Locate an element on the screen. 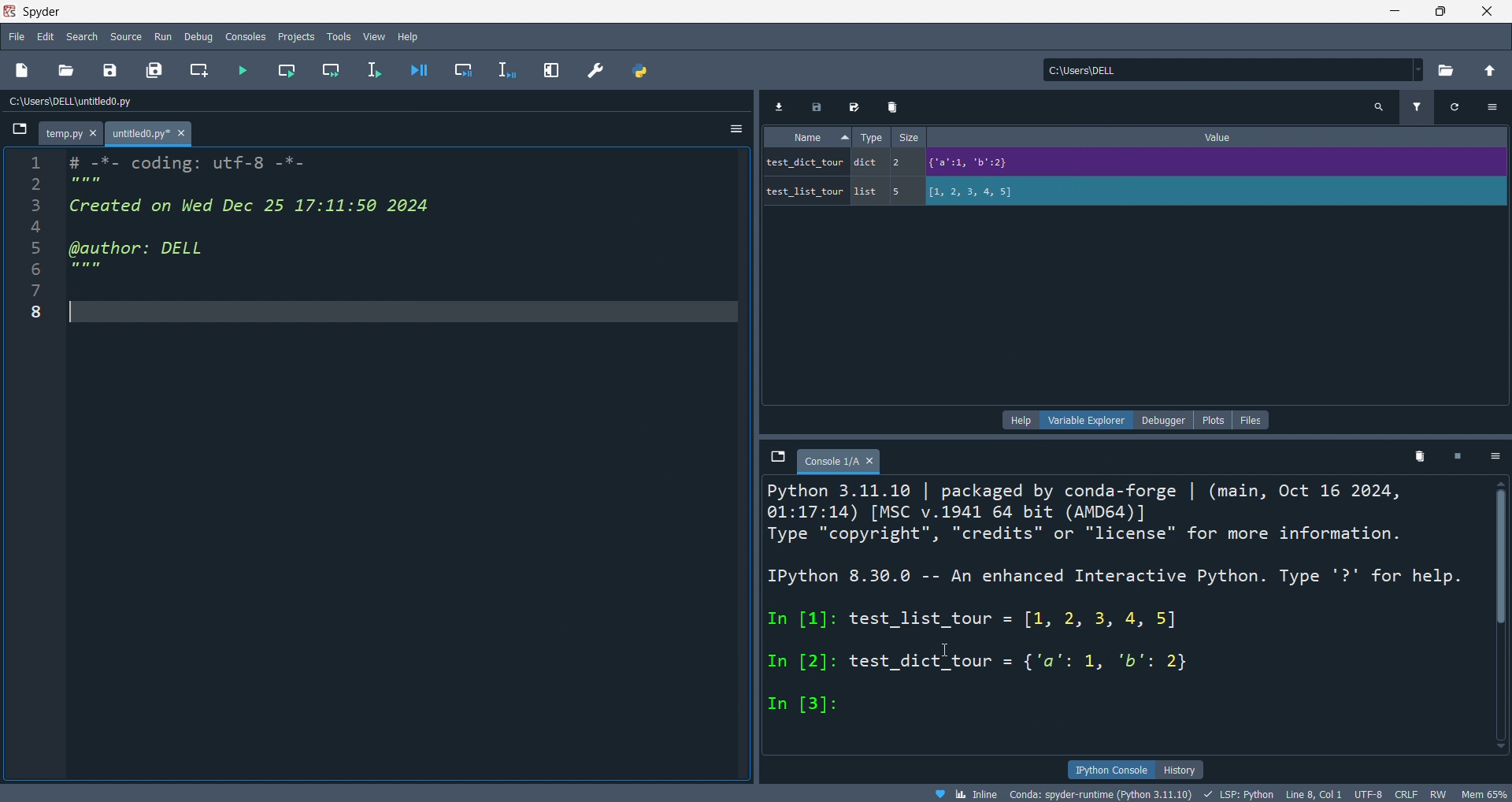  UTF-8 is located at coordinates (1371, 792).